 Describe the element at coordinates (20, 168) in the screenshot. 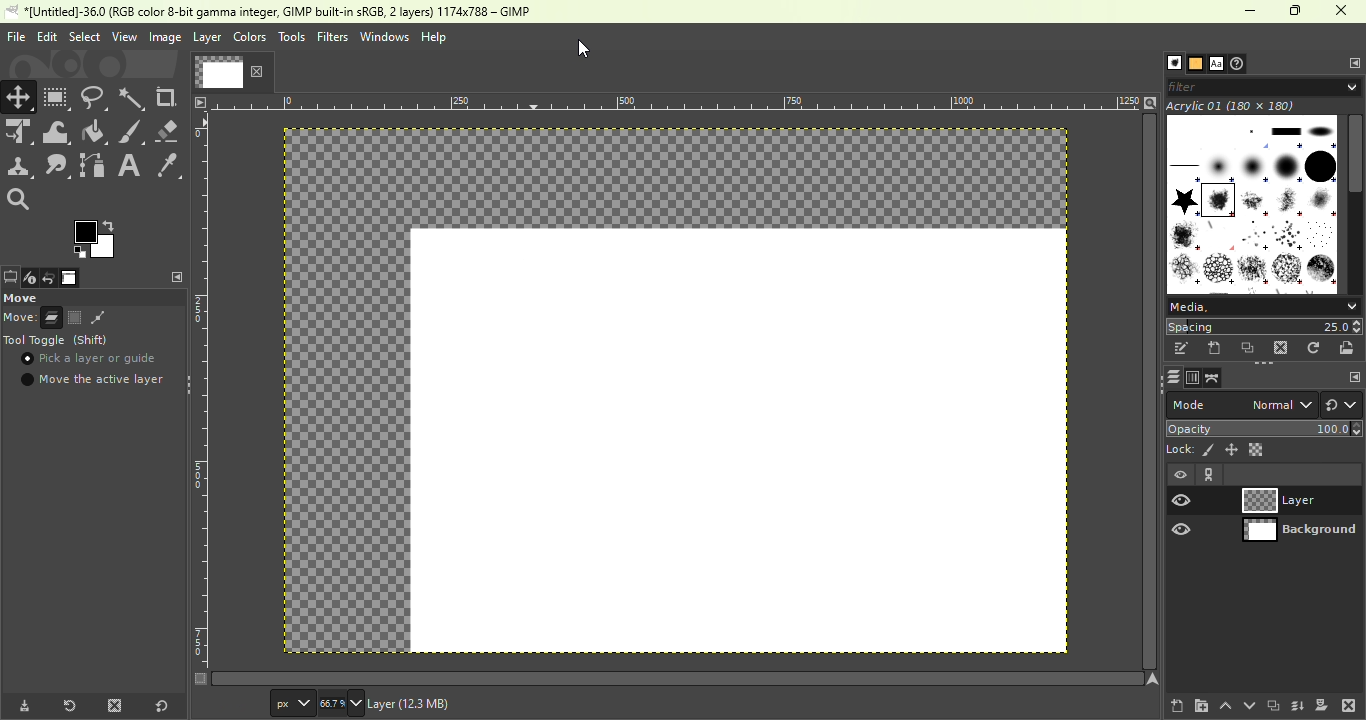

I see `Clone tool` at that location.